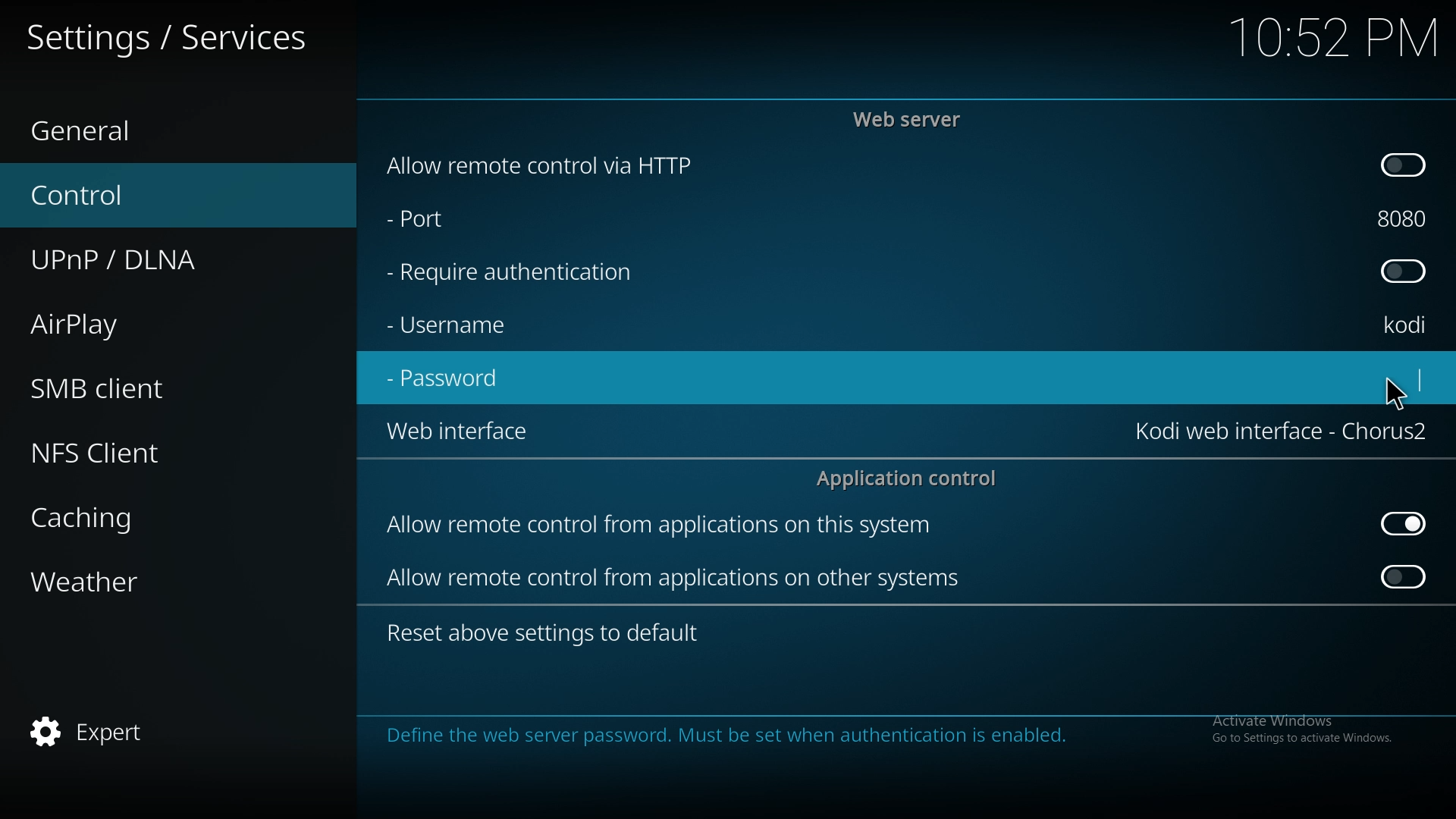  What do you see at coordinates (912, 119) in the screenshot?
I see `web server` at bounding box center [912, 119].